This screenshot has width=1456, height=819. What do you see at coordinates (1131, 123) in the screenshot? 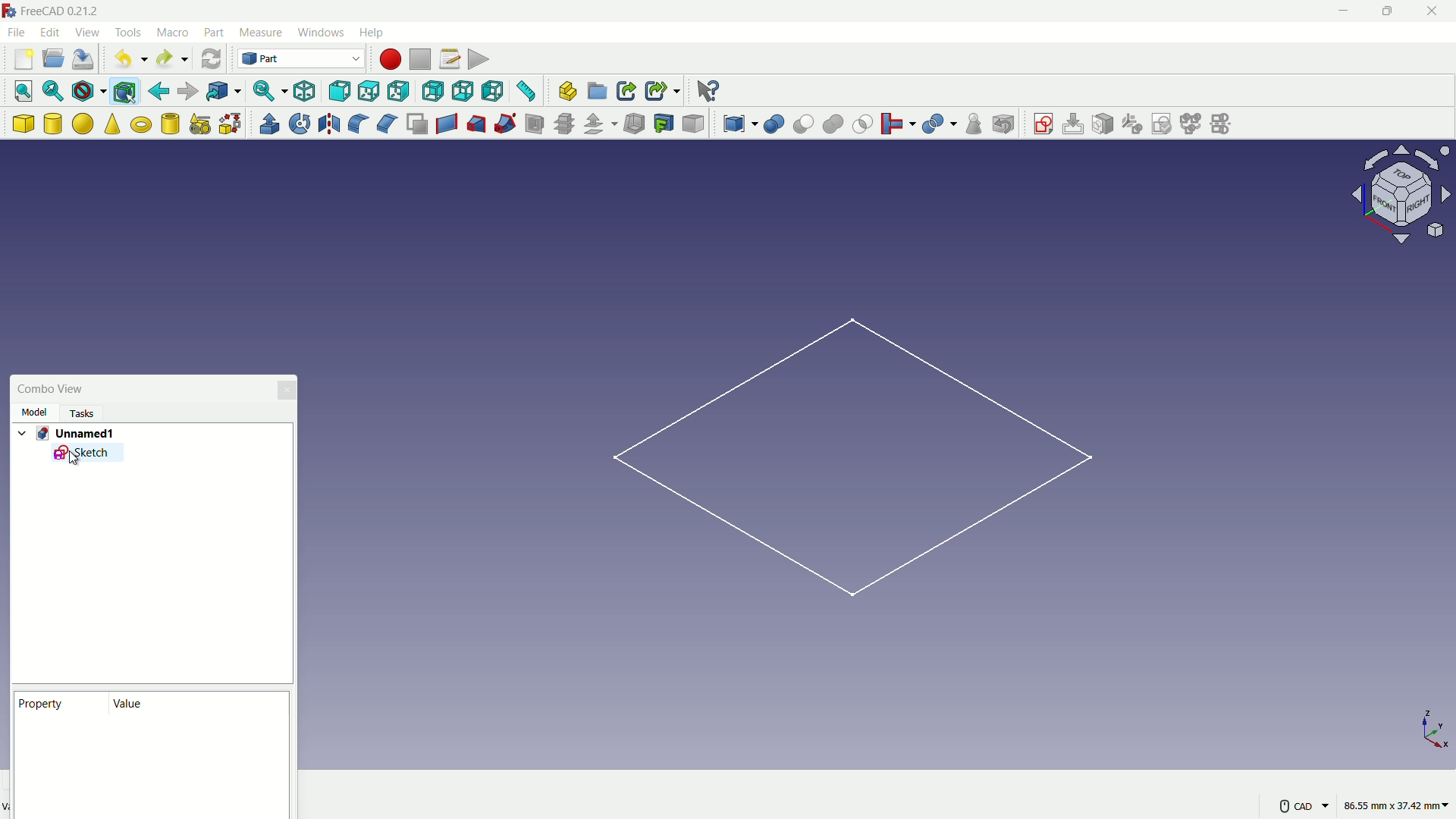
I see `reorient sketch` at bounding box center [1131, 123].